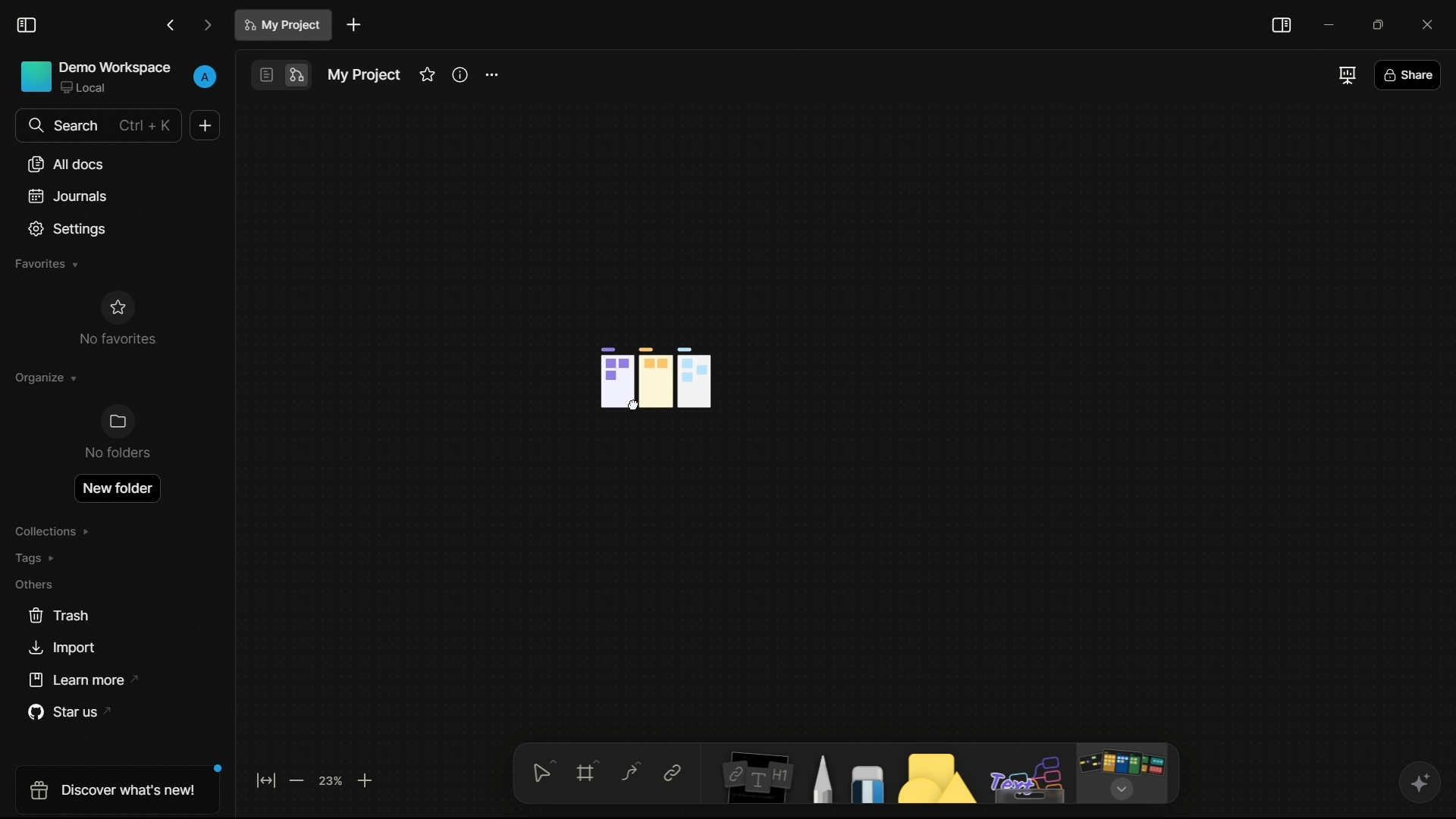 Image resolution: width=1456 pixels, height=819 pixels. Describe the element at coordinates (1345, 74) in the screenshot. I see `full screen` at that location.